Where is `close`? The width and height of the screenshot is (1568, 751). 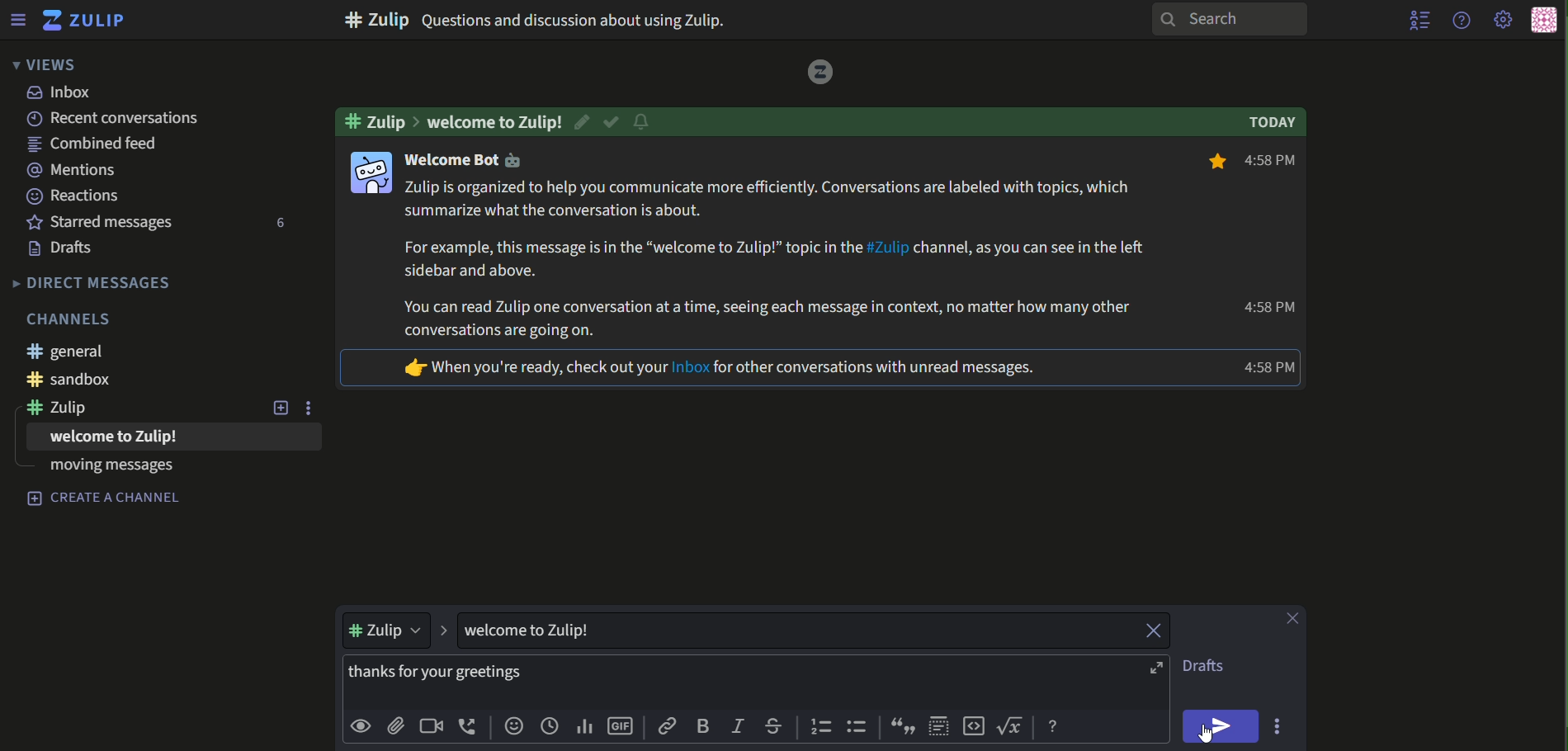
close is located at coordinates (1295, 618).